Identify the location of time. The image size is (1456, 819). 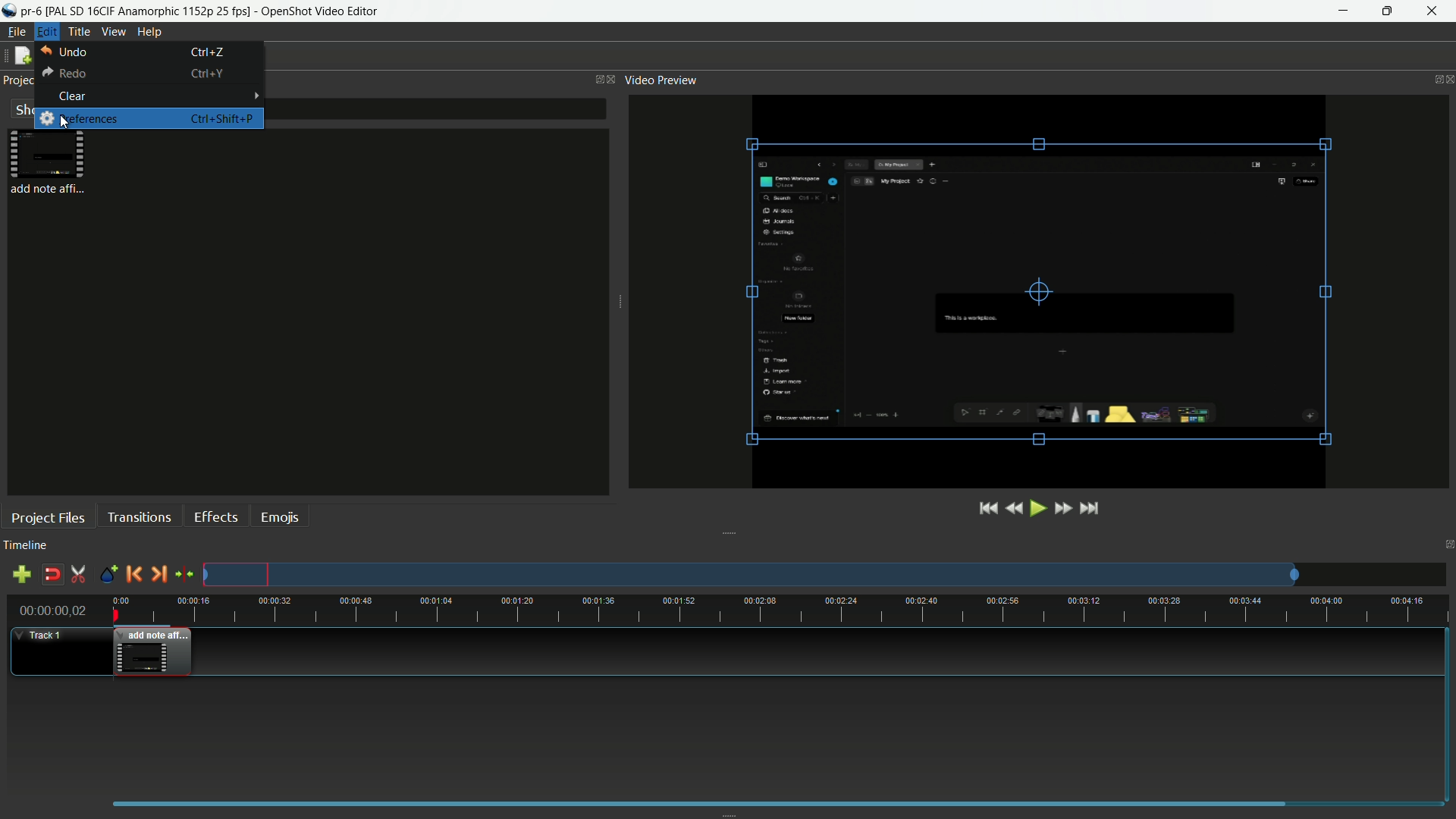
(779, 610).